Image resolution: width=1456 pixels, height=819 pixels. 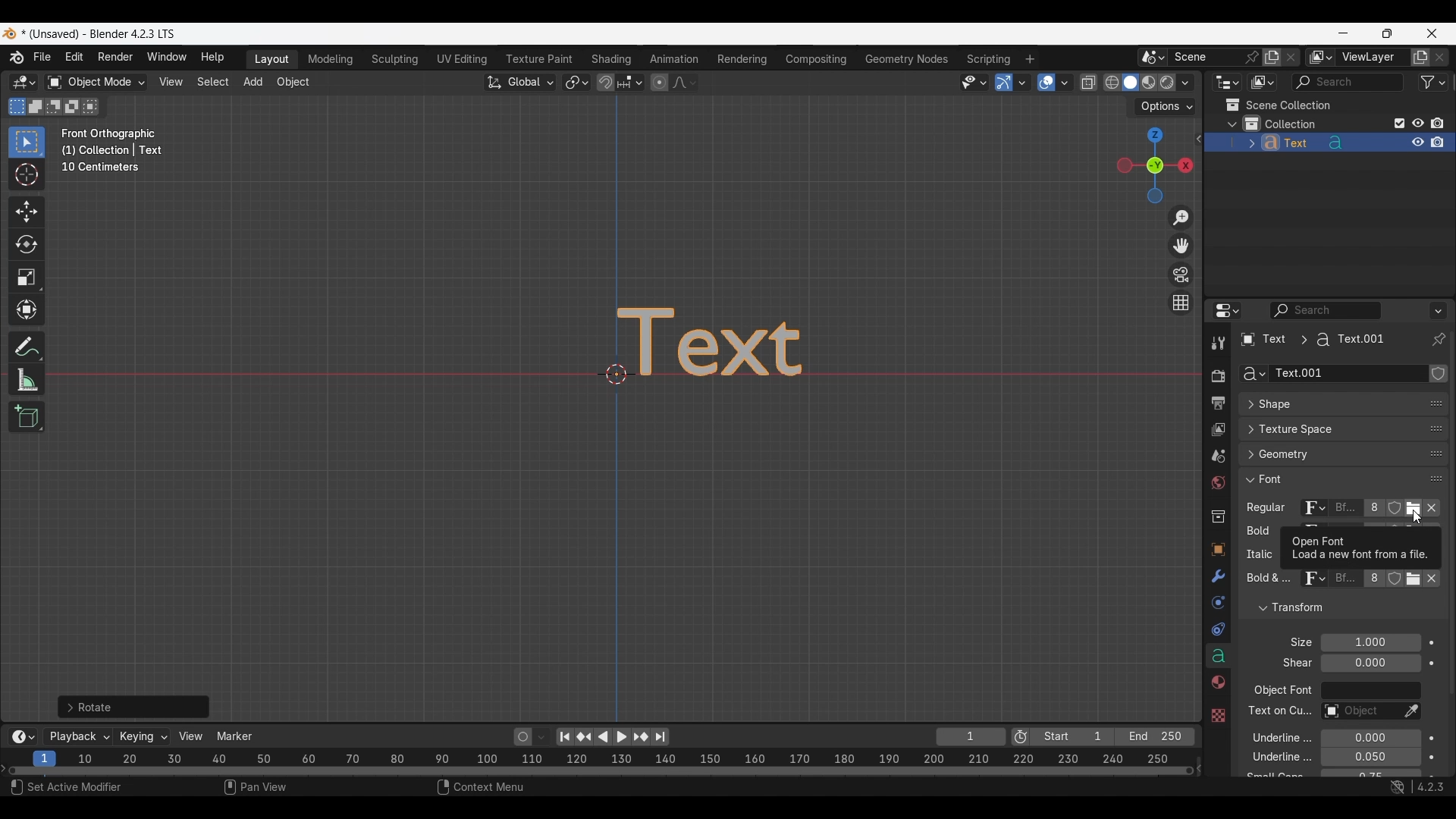 I want to click on Jump to endpoint, so click(x=565, y=737).